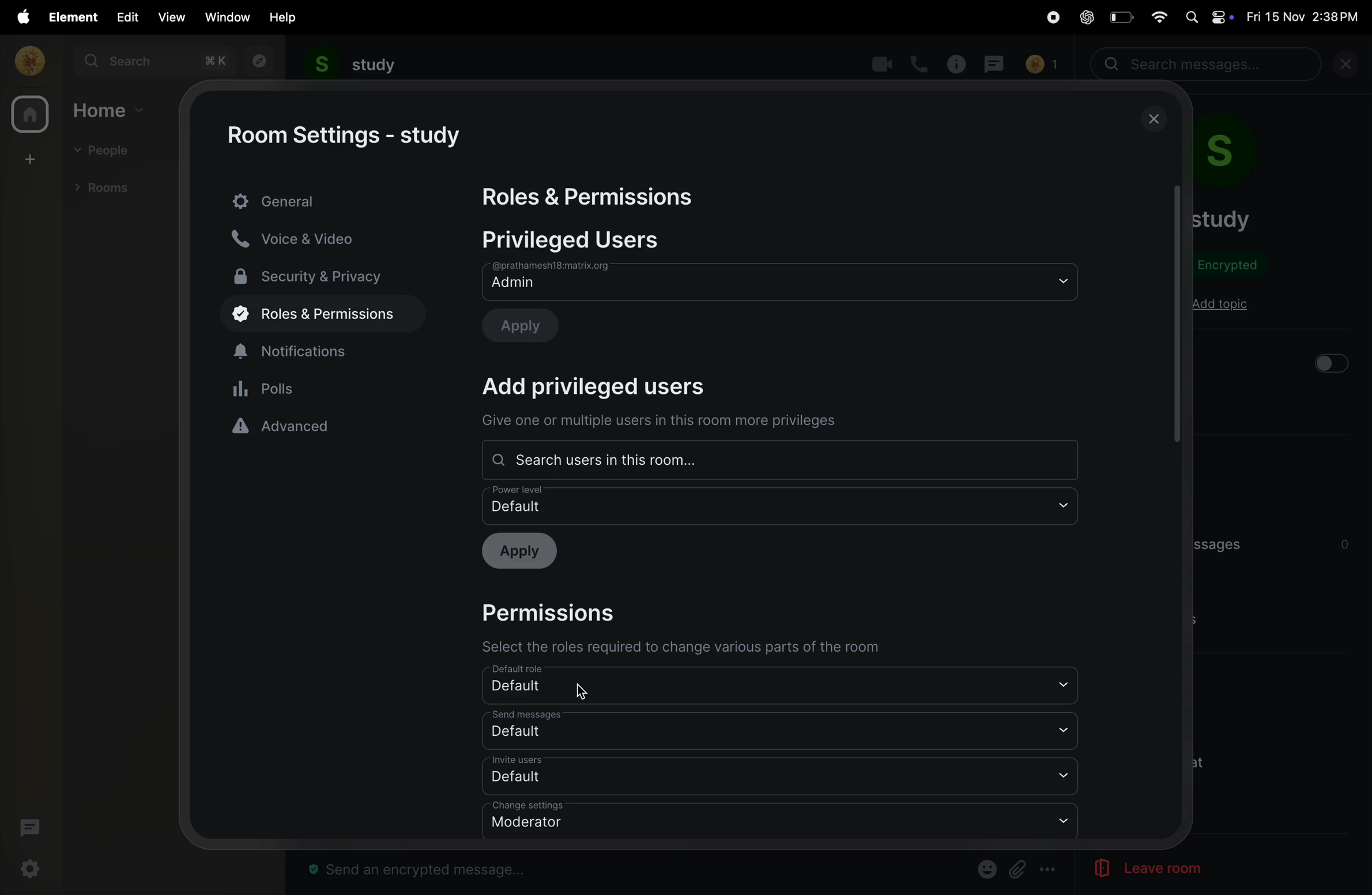 This screenshot has height=895, width=1372. Describe the element at coordinates (1132, 869) in the screenshot. I see `leave room` at that location.